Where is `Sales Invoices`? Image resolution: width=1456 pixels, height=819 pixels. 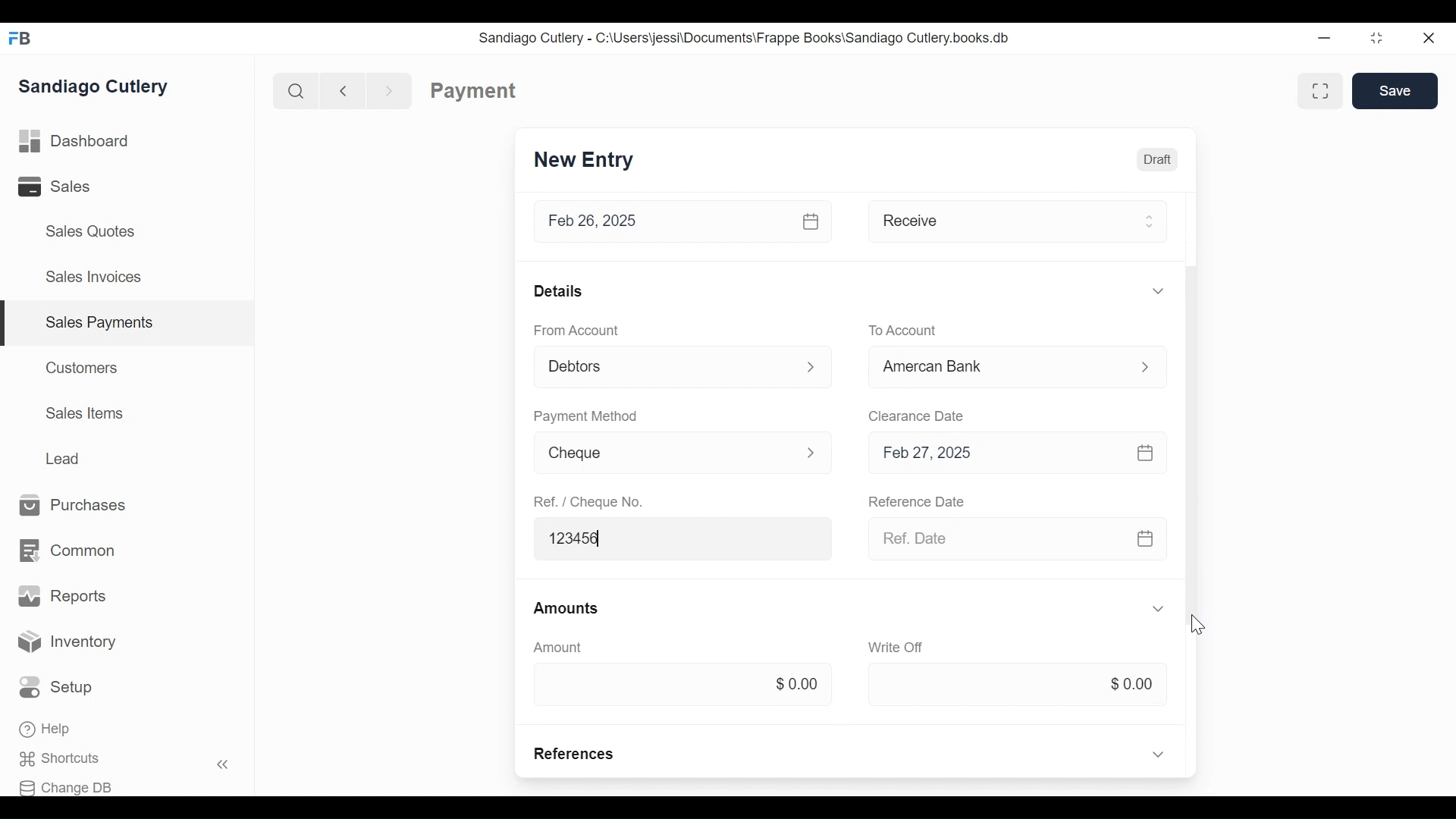
Sales Invoices is located at coordinates (93, 278).